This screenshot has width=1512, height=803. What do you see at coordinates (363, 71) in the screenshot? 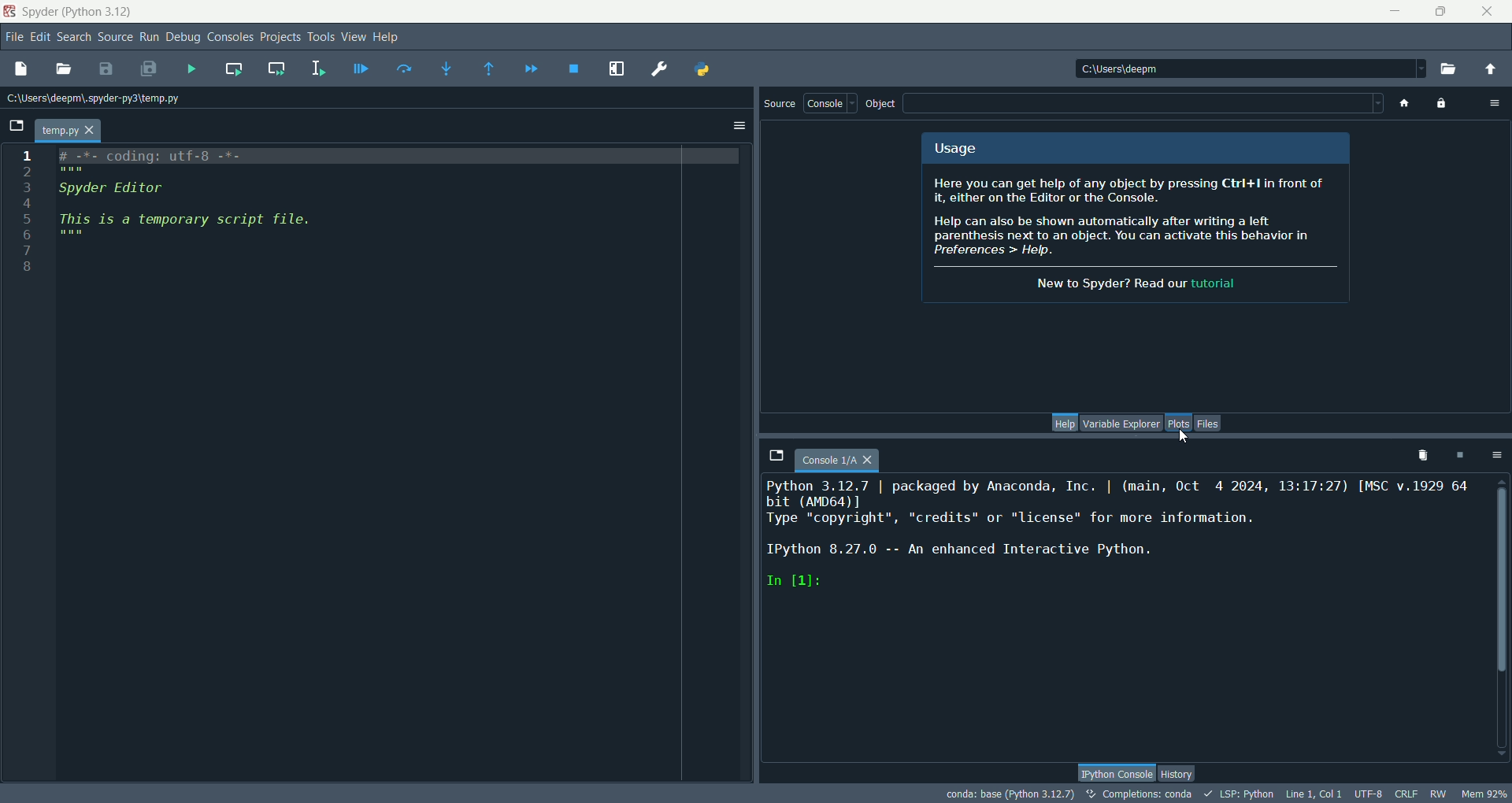
I see `debug files` at bounding box center [363, 71].